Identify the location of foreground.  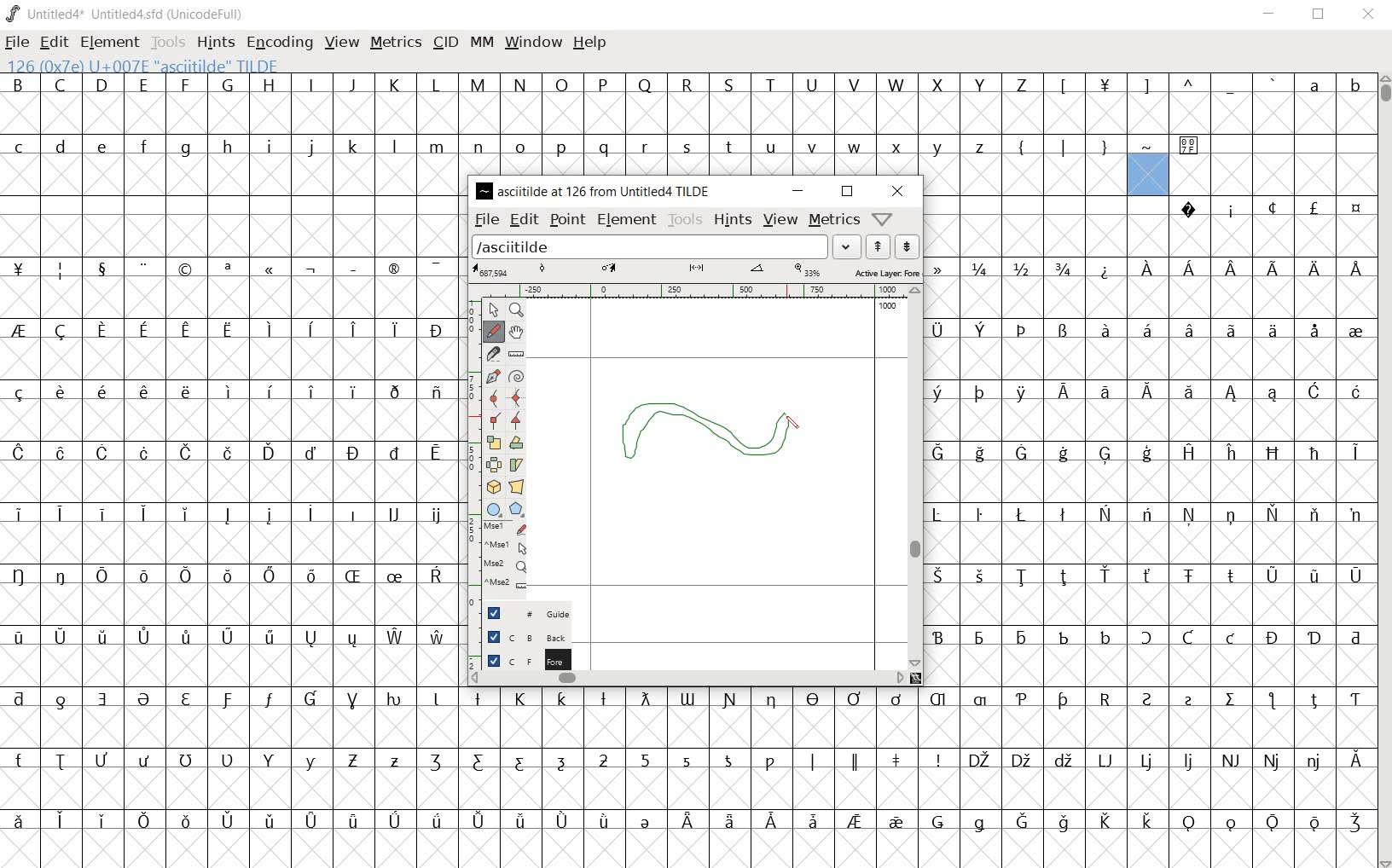
(519, 659).